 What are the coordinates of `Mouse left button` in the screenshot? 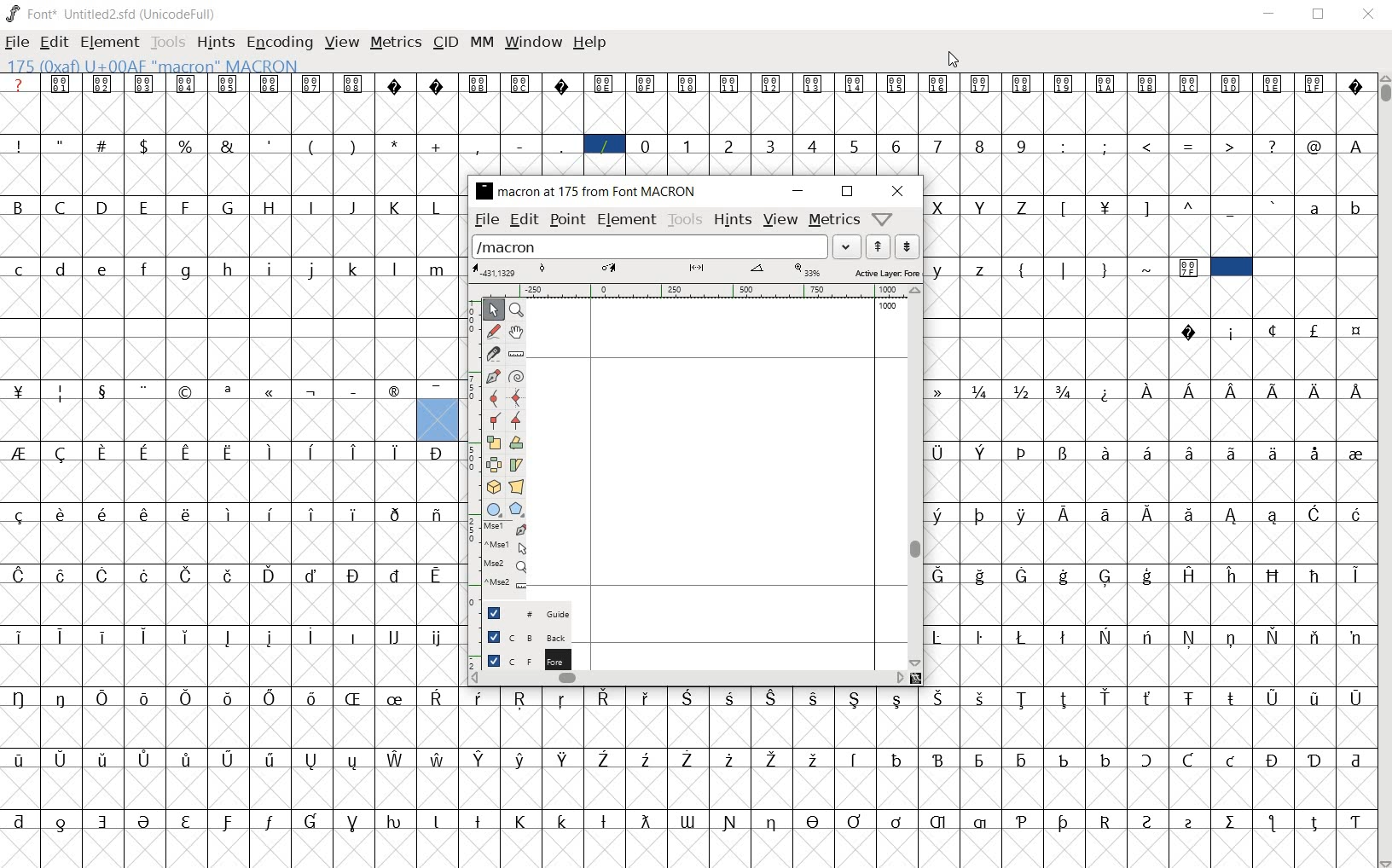 It's located at (508, 529).